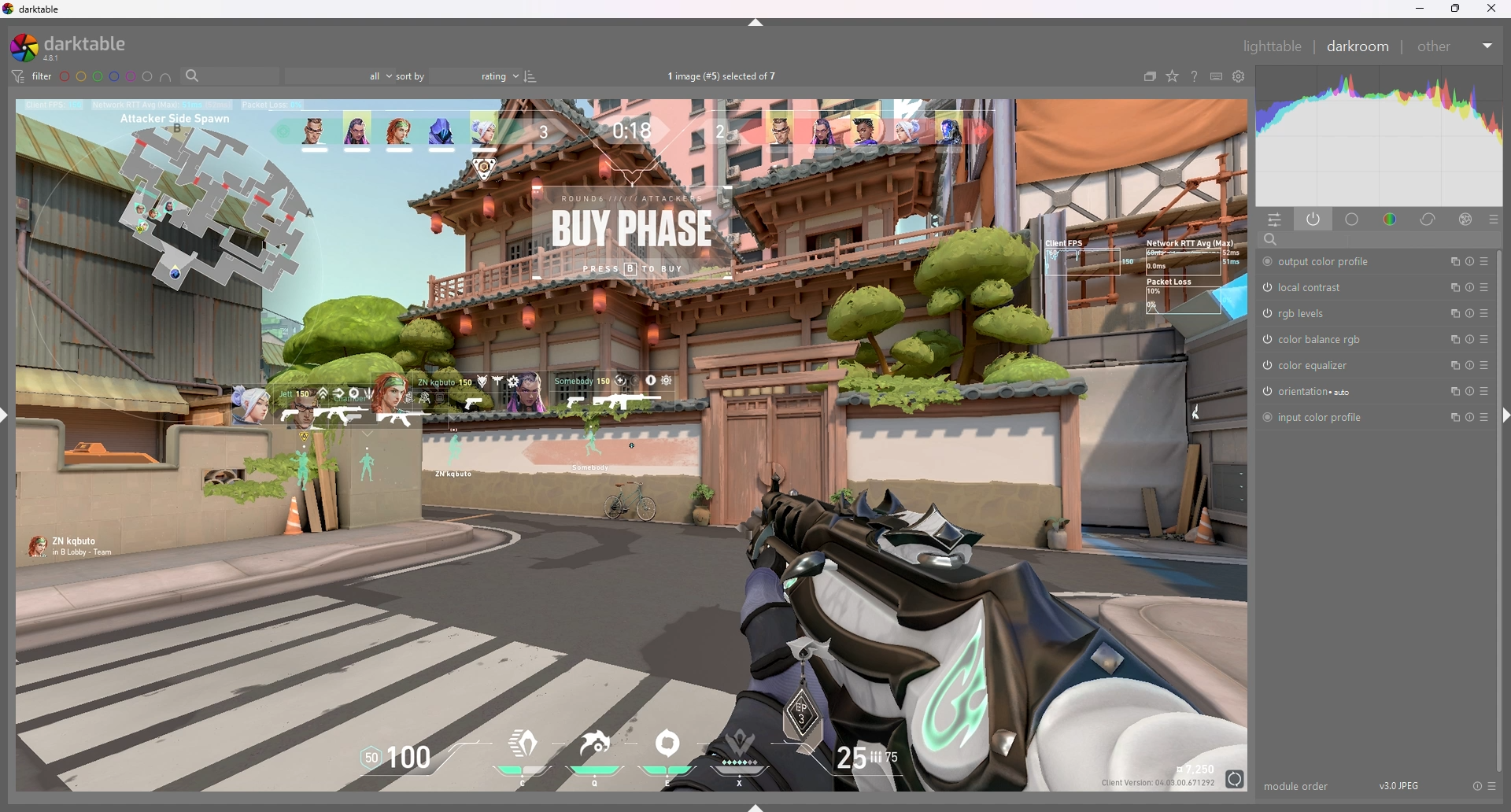 This screenshot has height=812, width=1511. I want to click on reset, so click(1476, 786).